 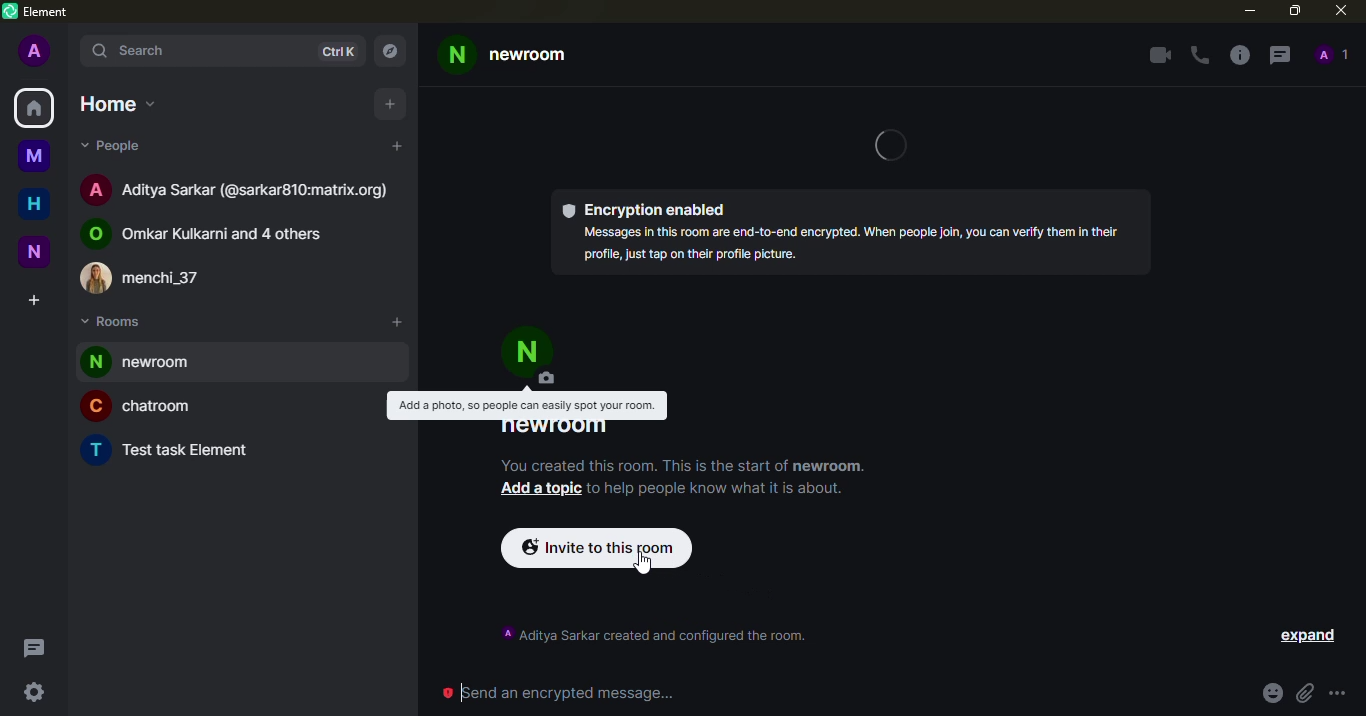 What do you see at coordinates (1239, 56) in the screenshot?
I see `info` at bounding box center [1239, 56].